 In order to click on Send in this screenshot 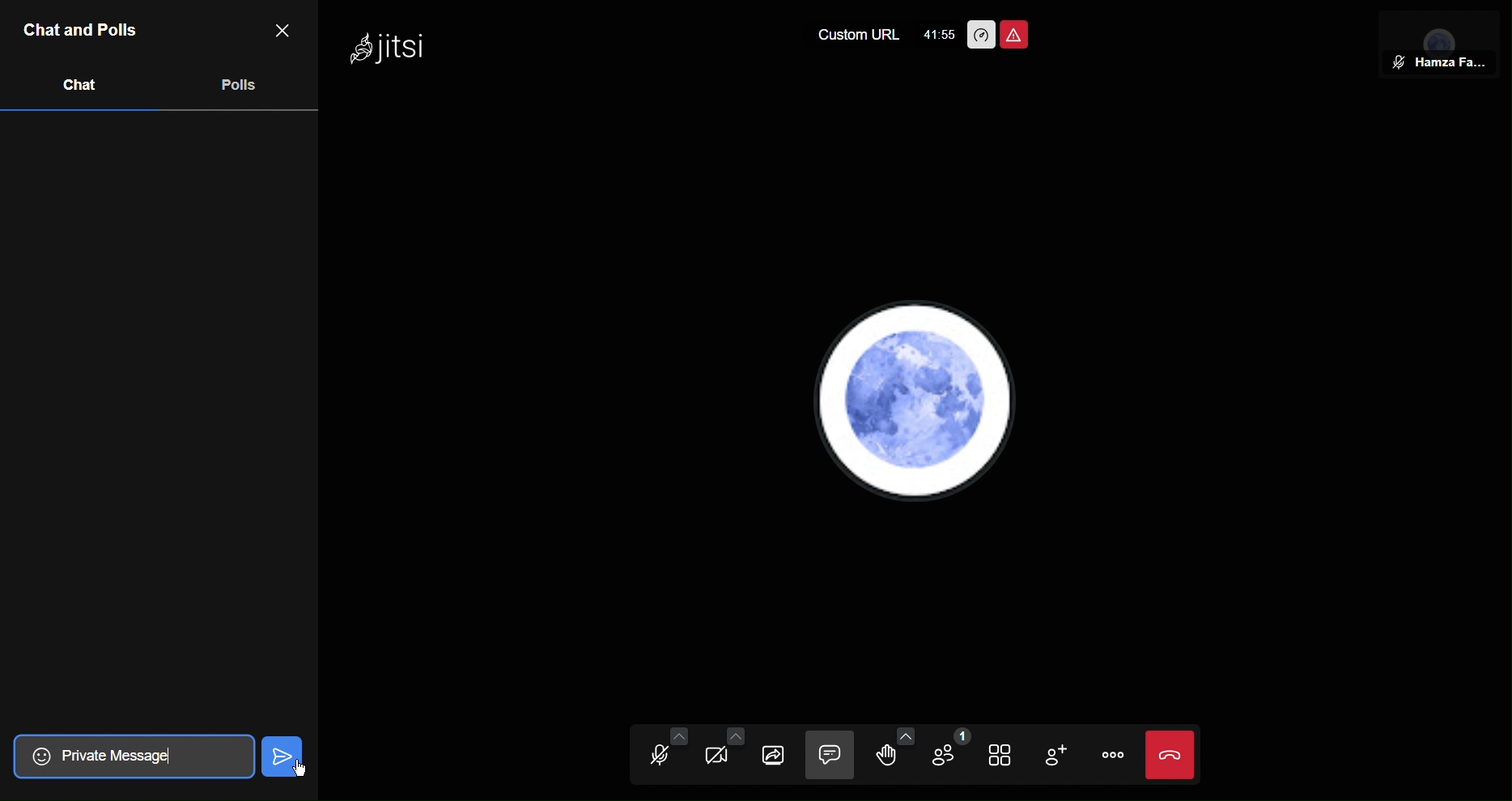, I will do `click(286, 756)`.